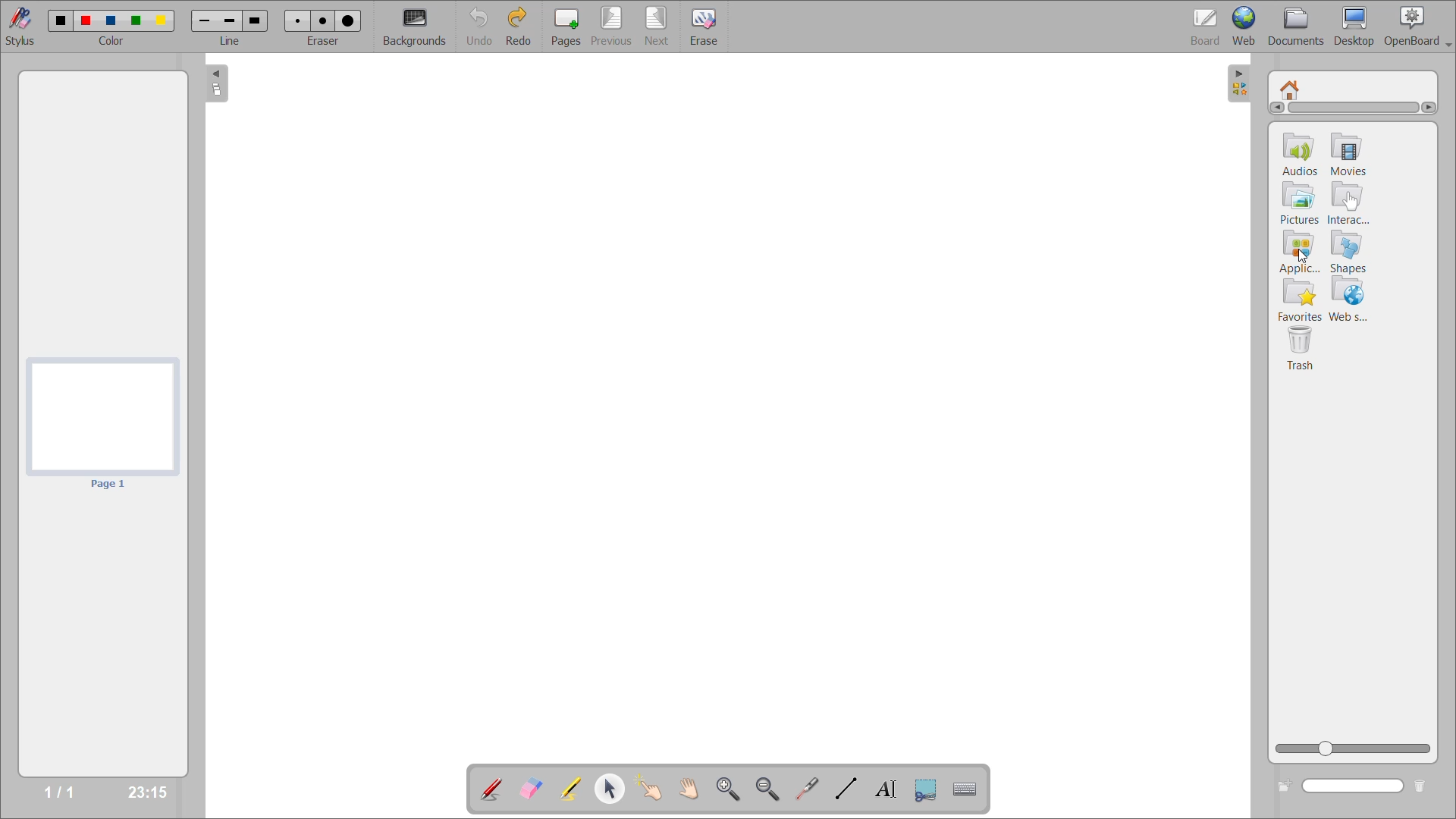 The image size is (1456, 819). I want to click on line 2, so click(228, 20).